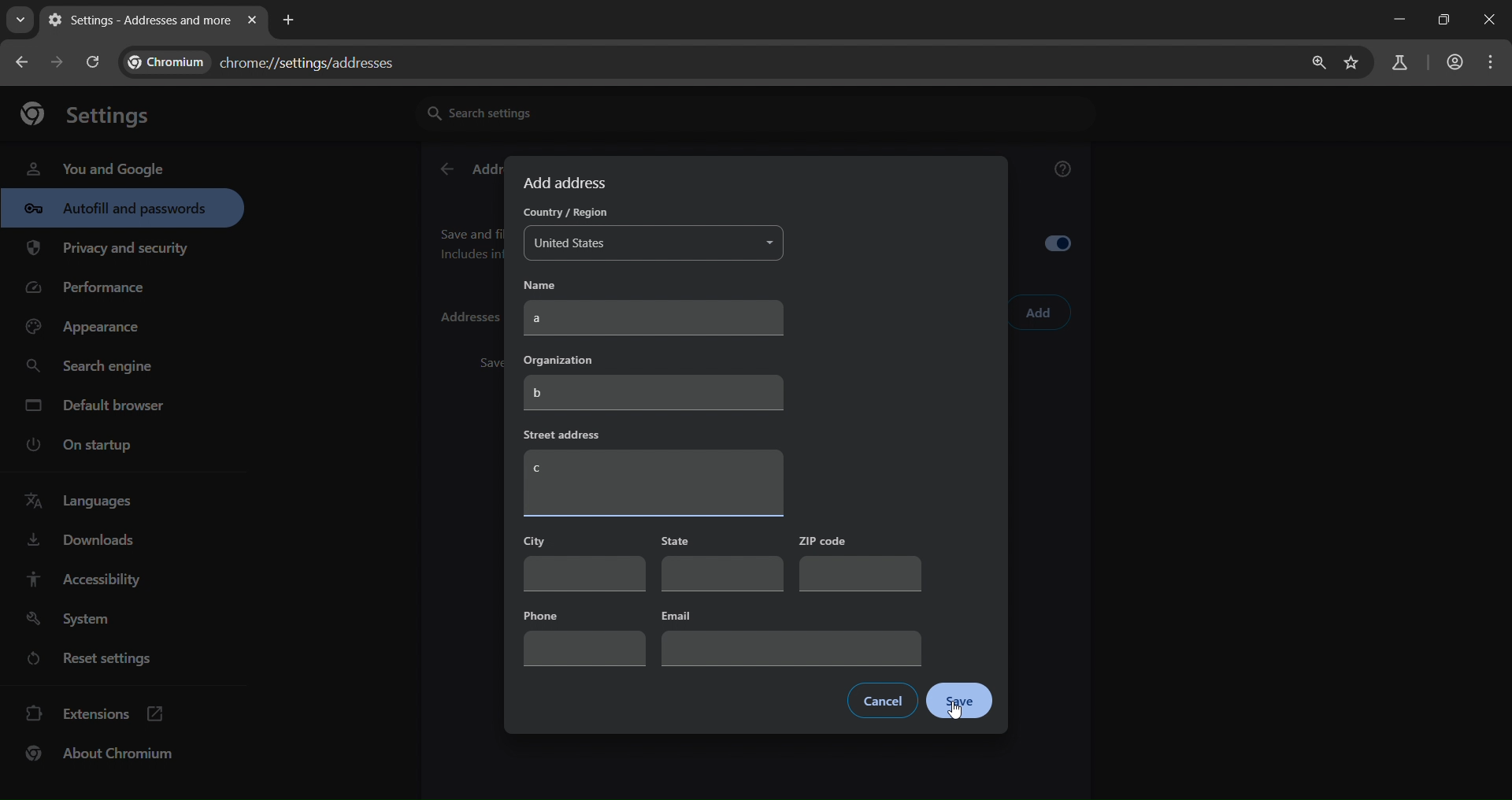 This screenshot has height=800, width=1512. I want to click on street address, so click(564, 435).